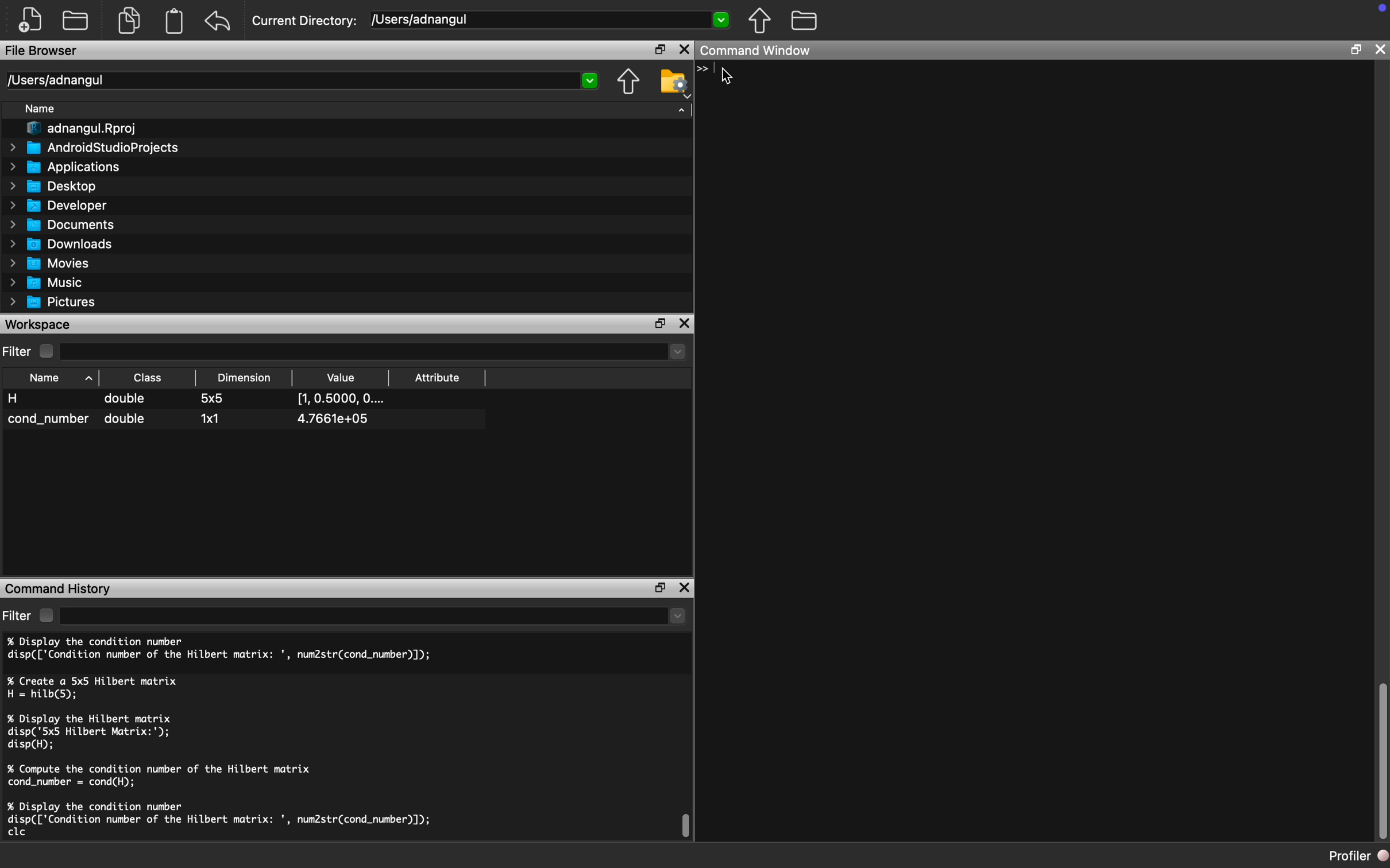  What do you see at coordinates (65, 168) in the screenshot?
I see `Applications` at bounding box center [65, 168].